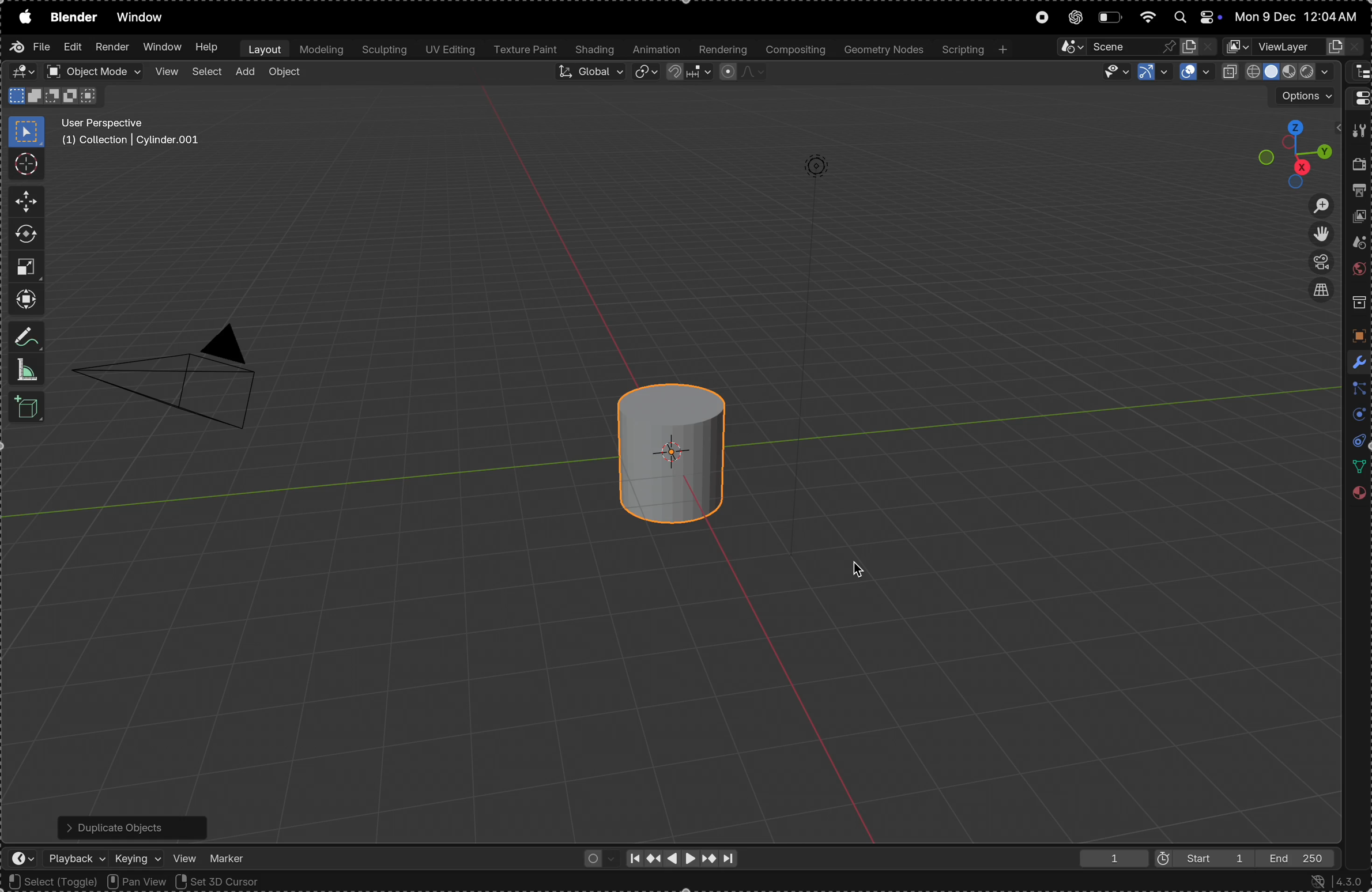  Describe the element at coordinates (93, 71) in the screenshot. I see `object mode` at that location.